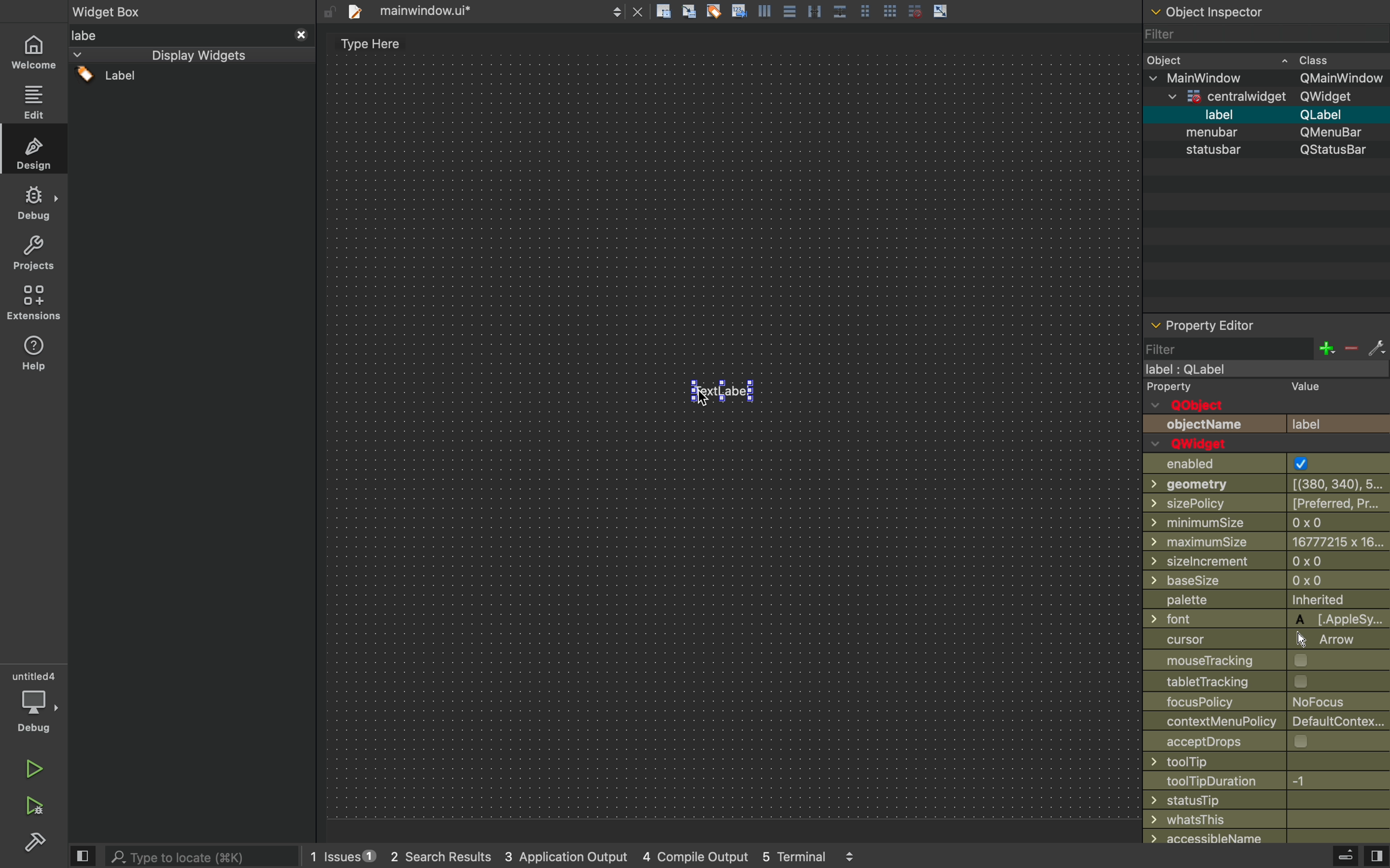 Image resolution: width=1390 pixels, height=868 pixels. I want to click on , so click(87, 855).